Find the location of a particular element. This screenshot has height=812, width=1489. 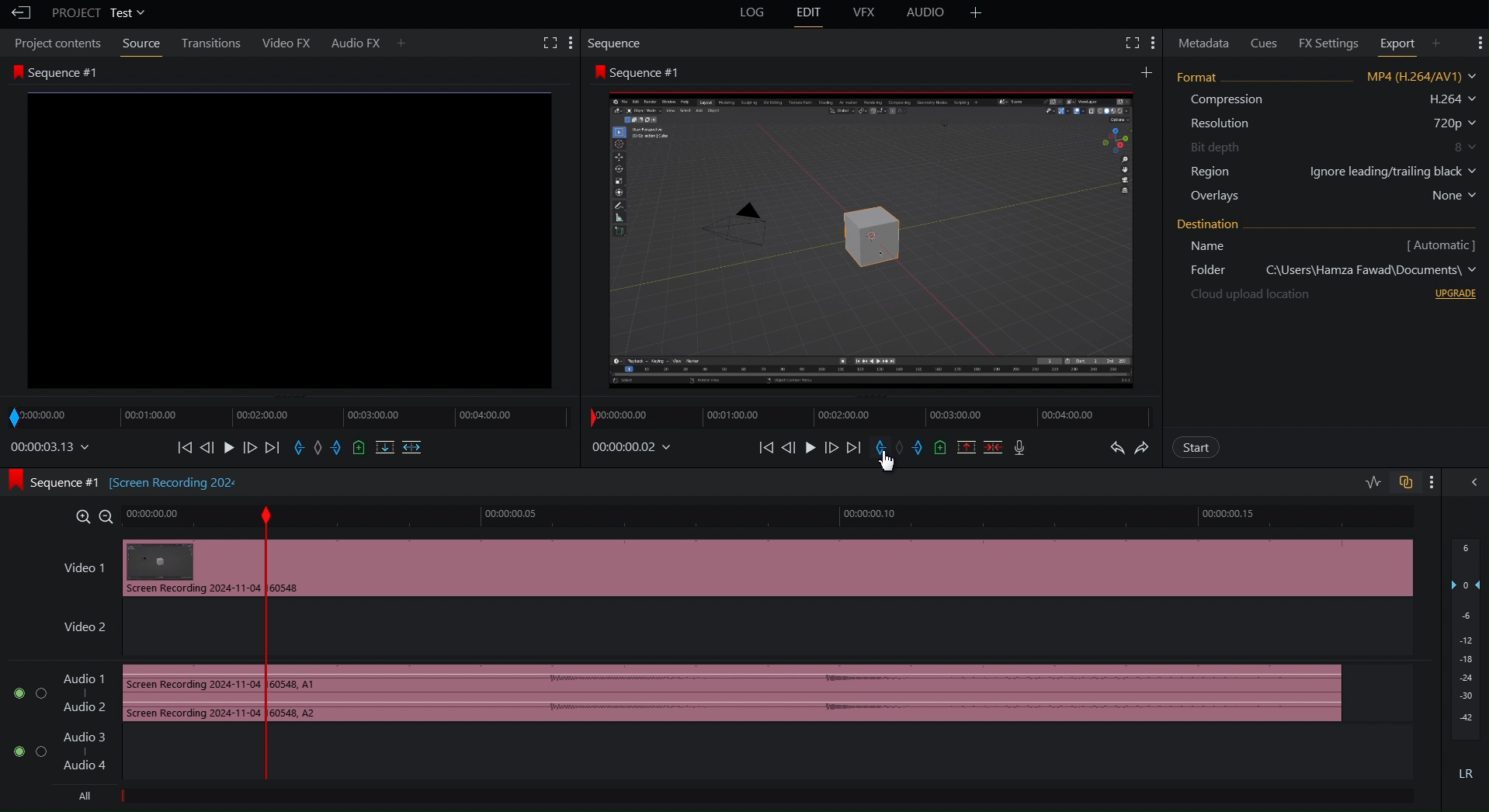

Timeline is located at coordinates (859, 416).